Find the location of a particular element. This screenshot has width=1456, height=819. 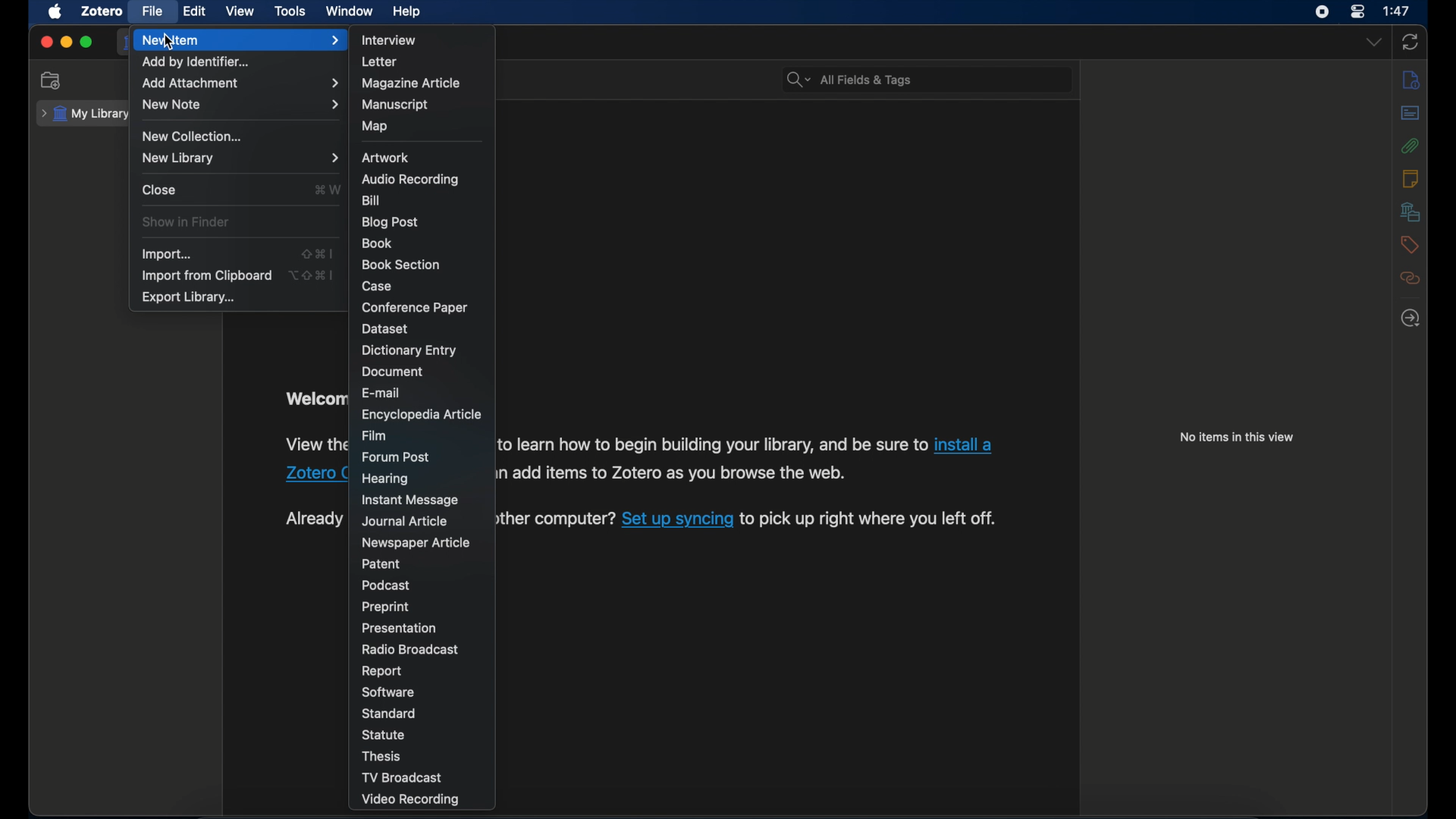

screen recorder is located at coordinates (1323, 11).